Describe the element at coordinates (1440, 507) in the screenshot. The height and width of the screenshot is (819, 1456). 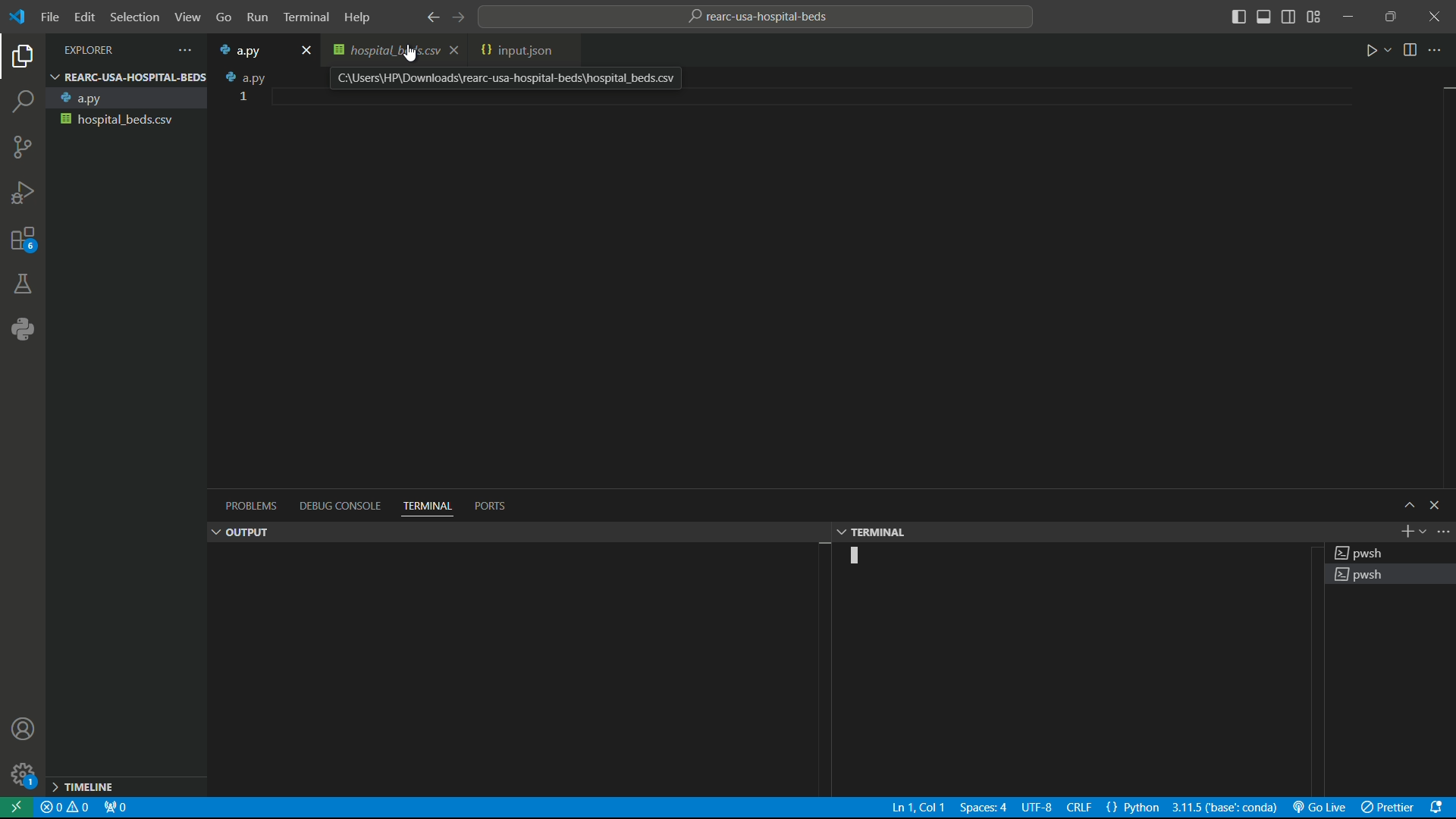
I see `hide panel` at that location.